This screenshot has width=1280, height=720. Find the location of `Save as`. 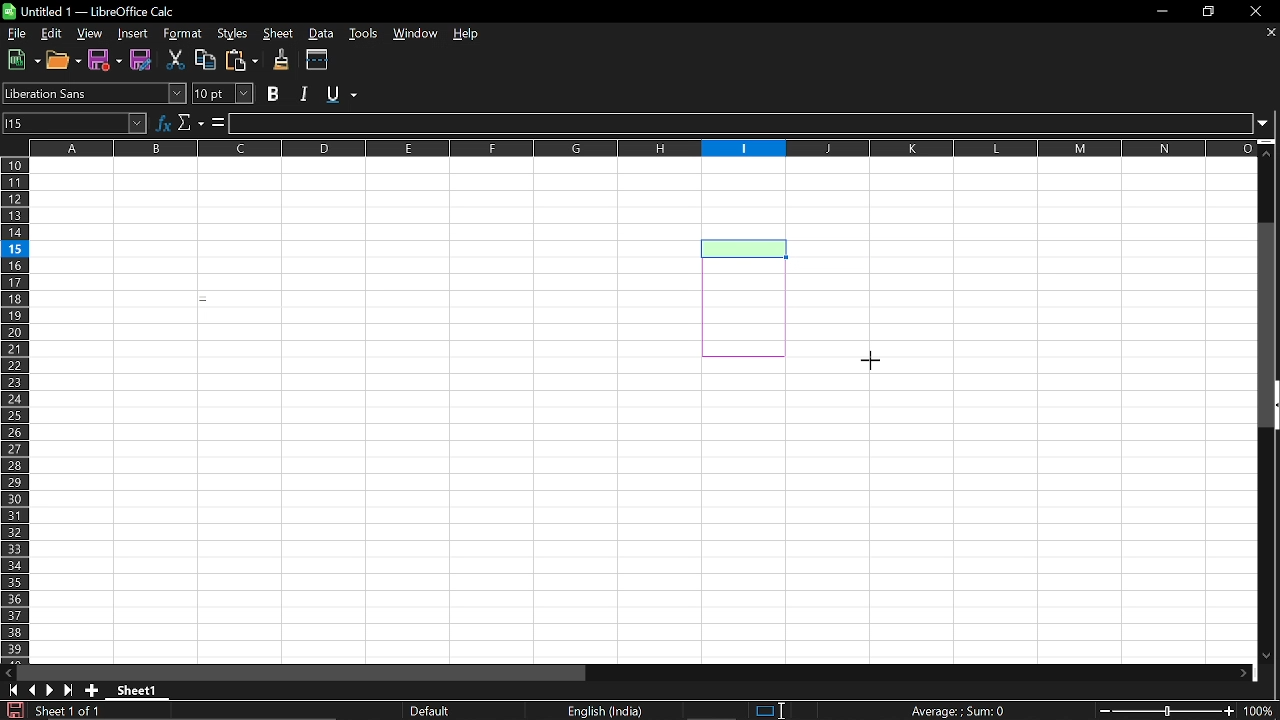

Save as is located at coordinates (105, 60).